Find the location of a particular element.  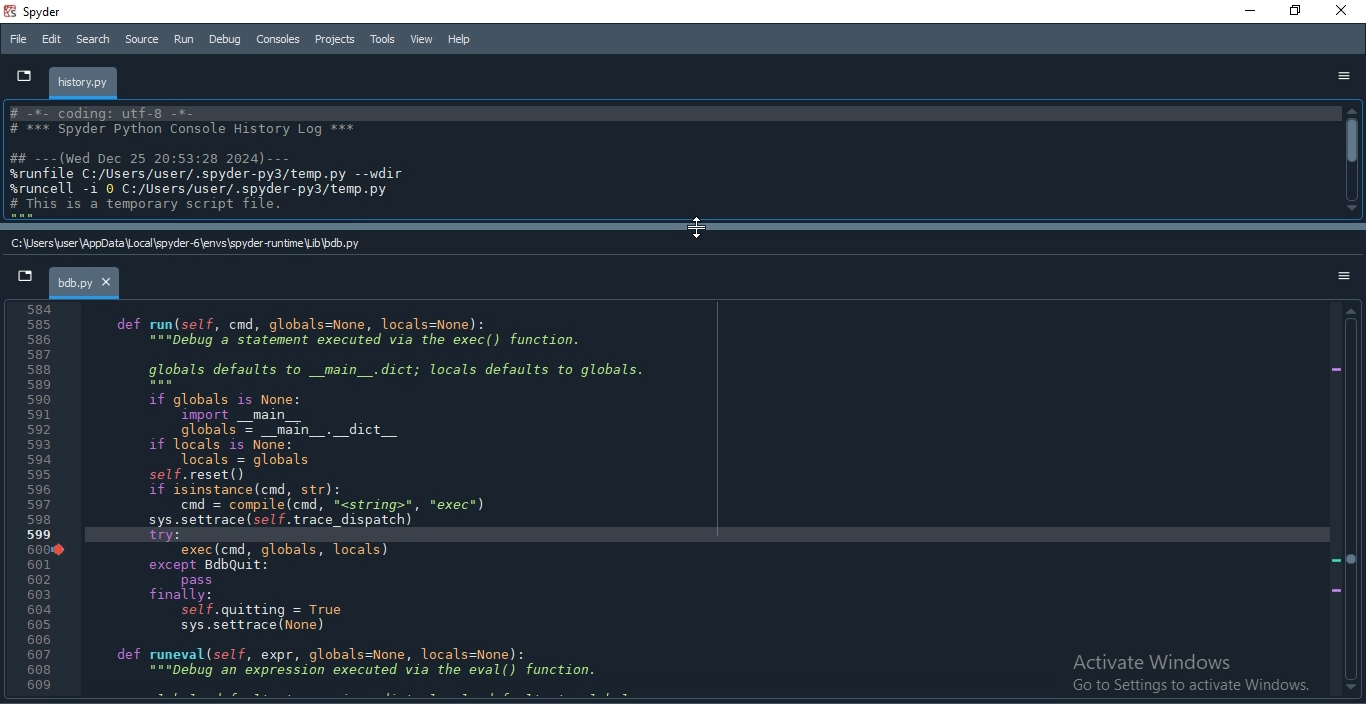

dropdown is located at coordinates (20, 74).